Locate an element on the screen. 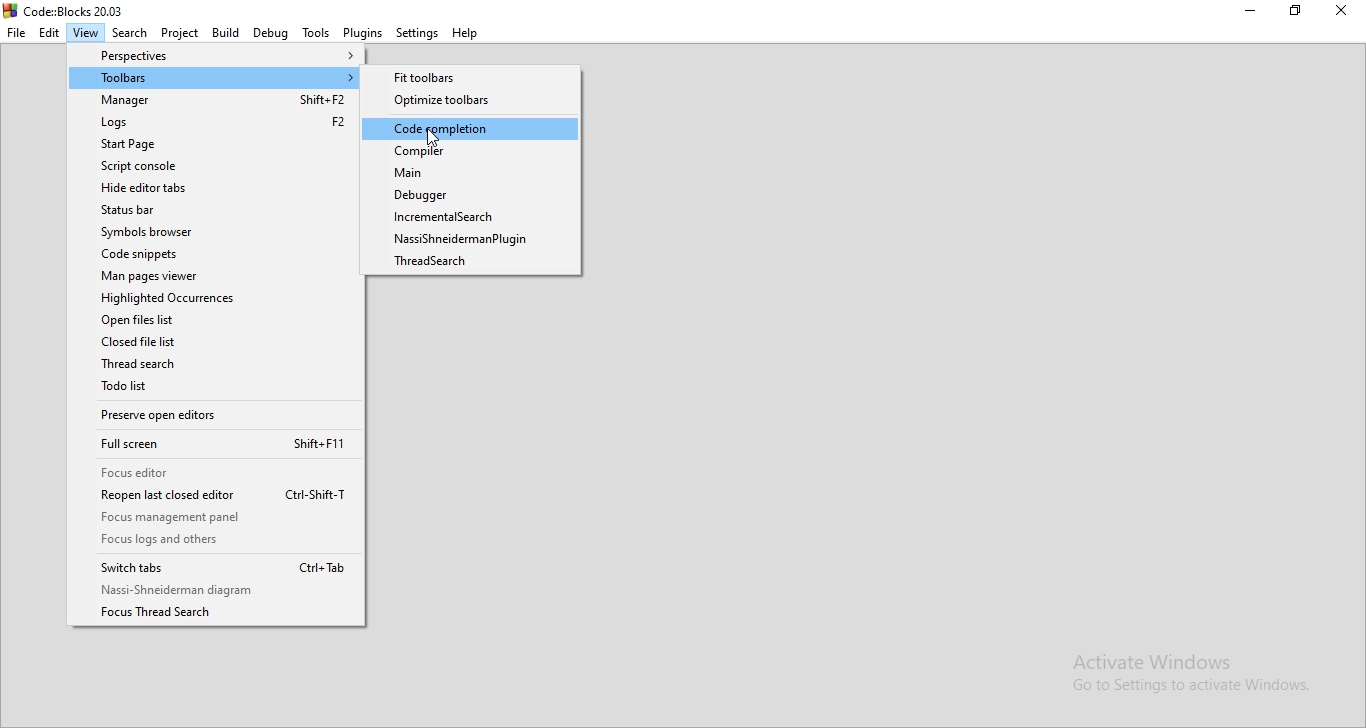  status bar is located at coordinates (211, 211).